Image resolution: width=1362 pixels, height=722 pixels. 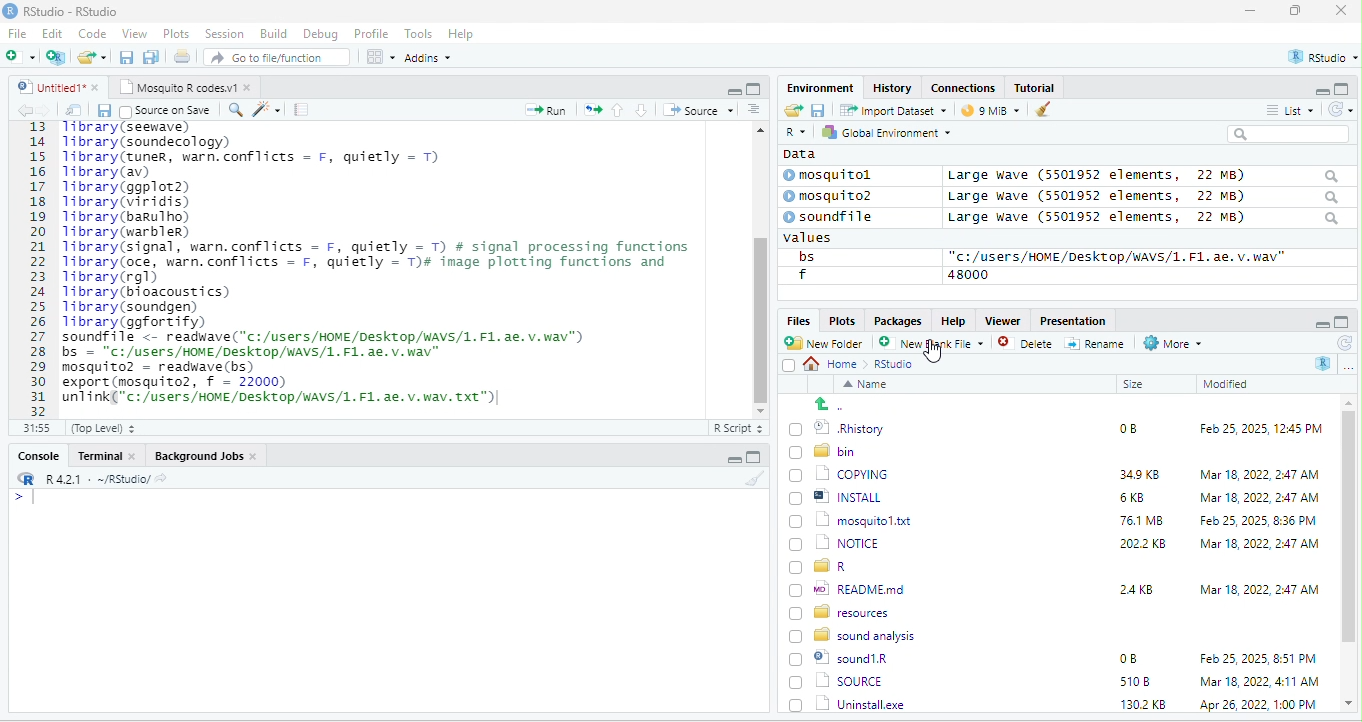 What do you see at coordinates (34, 428) in the screenshot?
I see `31:55` at bounding box center [34, 428].